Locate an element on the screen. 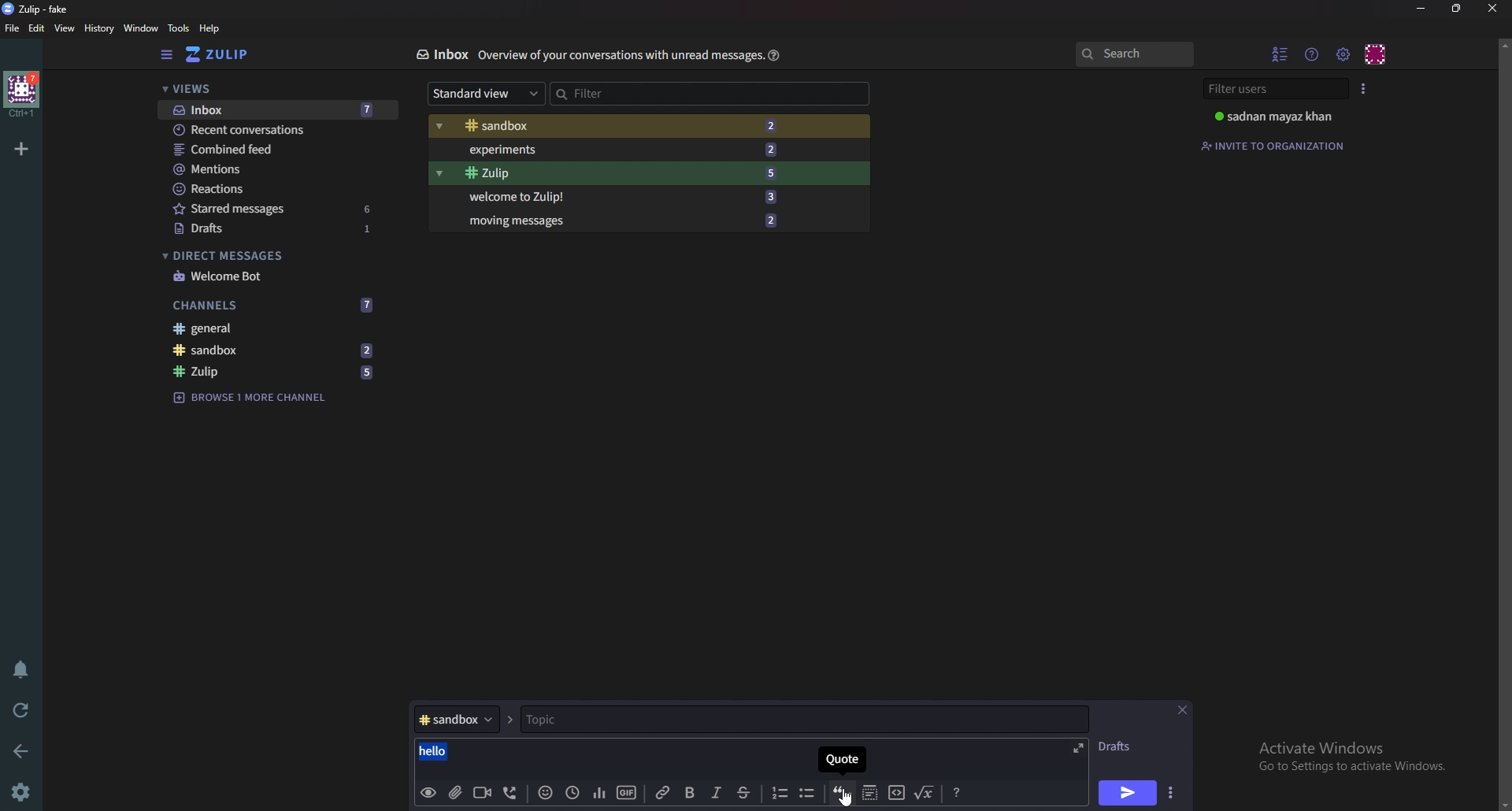 This screenshot has width=1512, height=811. Minimize is located at coordinates (1421, 9).